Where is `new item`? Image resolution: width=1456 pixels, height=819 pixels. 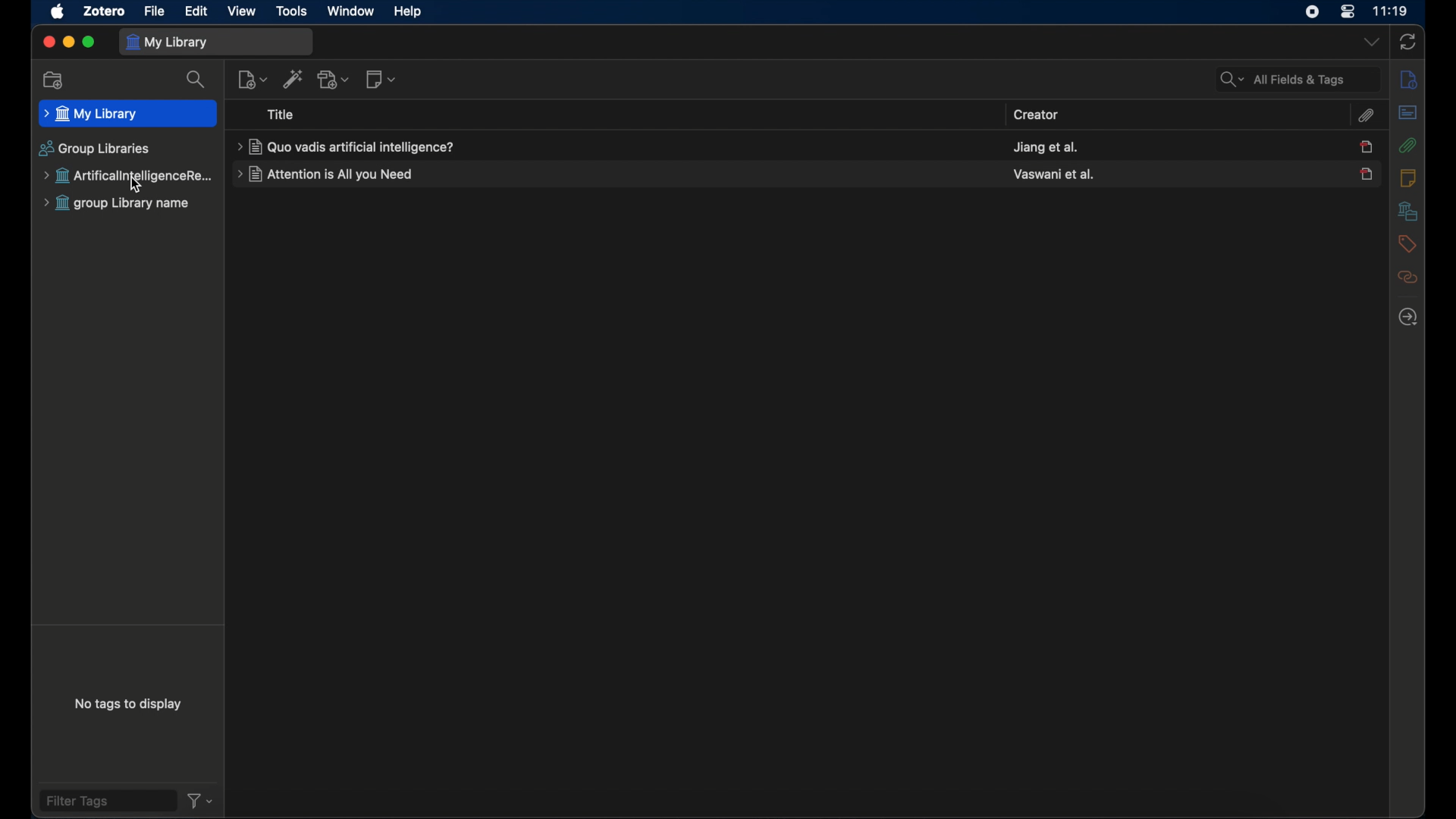
new item is located at coordinates (253, 79).